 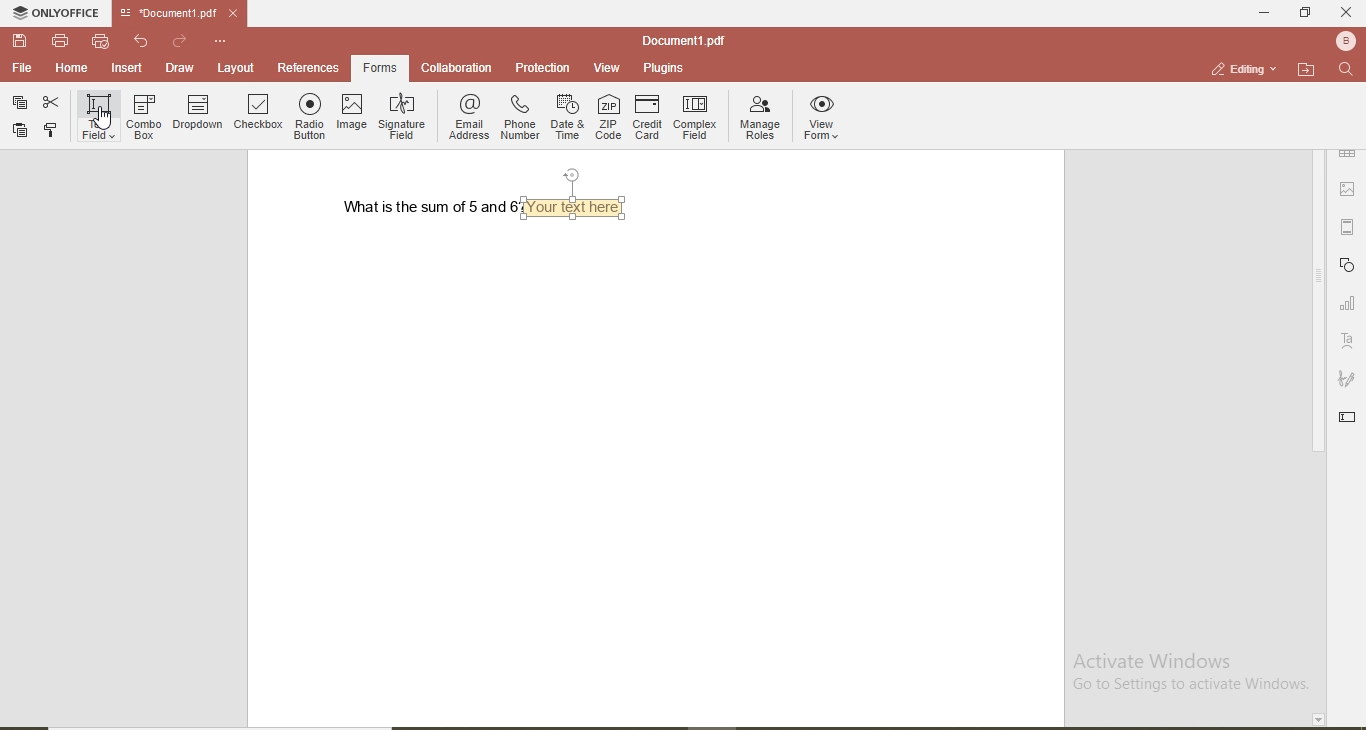 I want to click on manage roles, so click(x=757, y=118).